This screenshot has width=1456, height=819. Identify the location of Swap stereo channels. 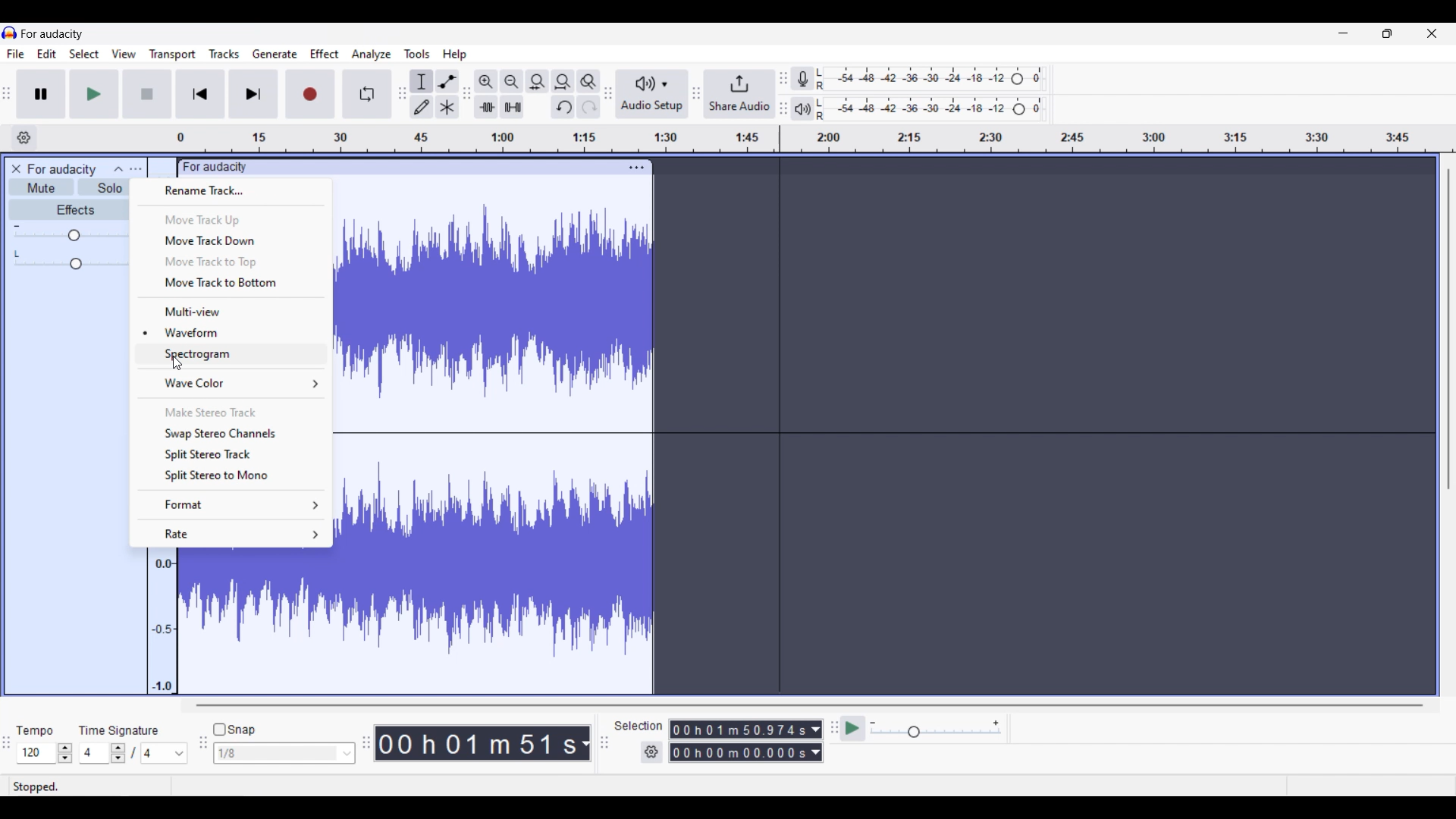
(232, 433).